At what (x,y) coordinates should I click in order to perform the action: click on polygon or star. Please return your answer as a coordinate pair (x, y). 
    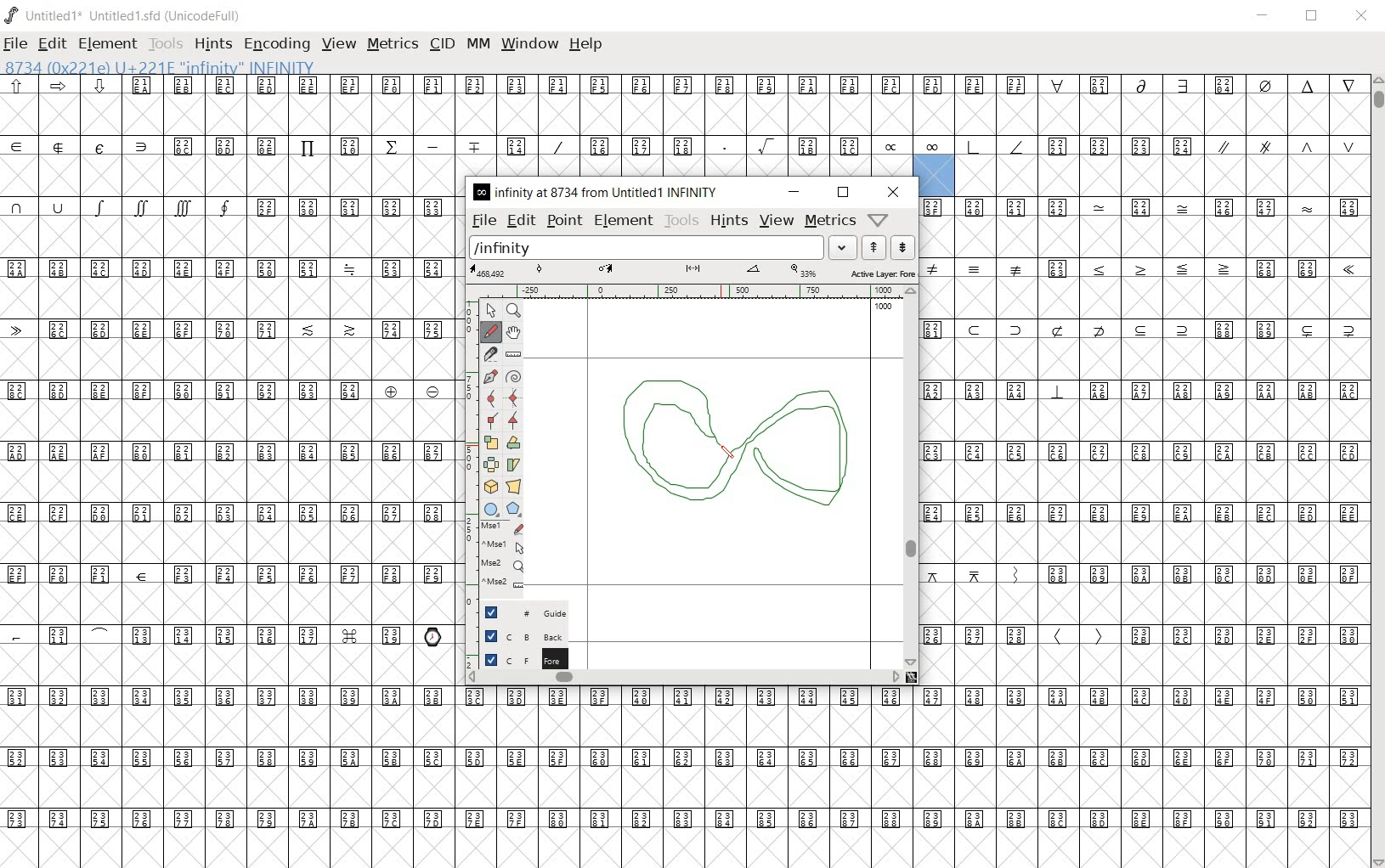
    Looking at the image, I should click on (515, 508).